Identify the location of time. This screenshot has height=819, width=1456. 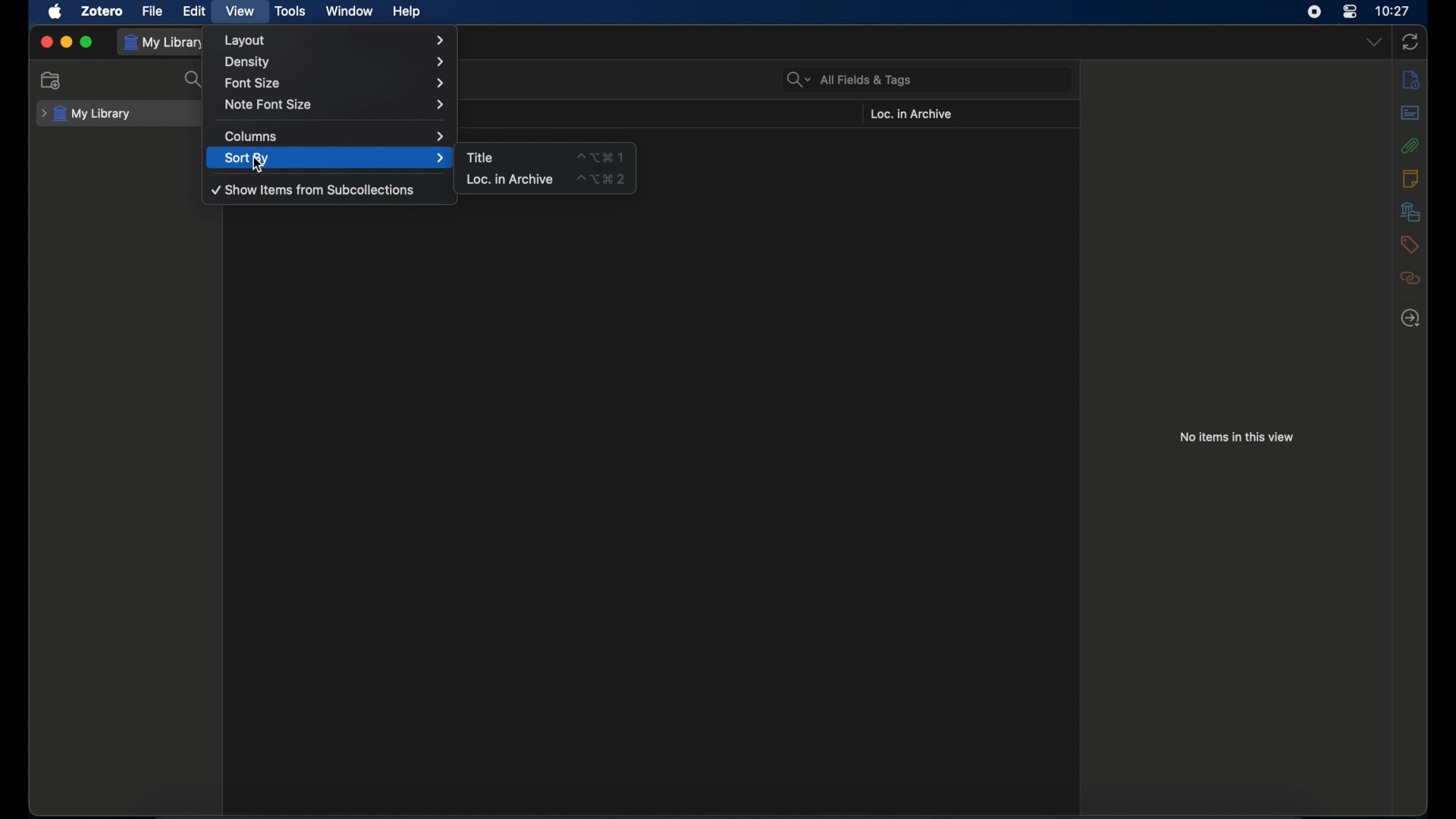
(1394, 10).